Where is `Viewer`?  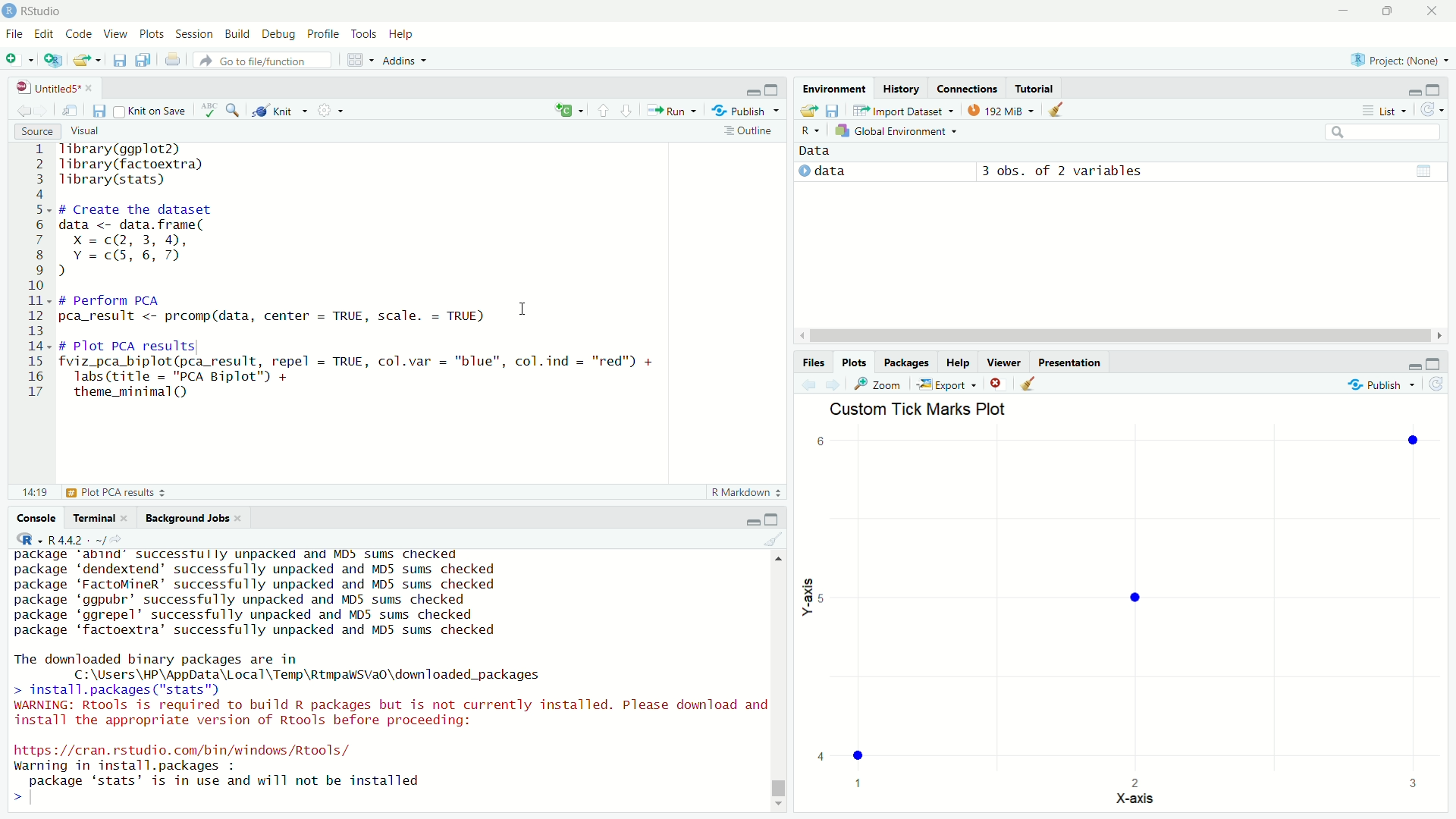 Viewer is located at coordinates (1005, 362).